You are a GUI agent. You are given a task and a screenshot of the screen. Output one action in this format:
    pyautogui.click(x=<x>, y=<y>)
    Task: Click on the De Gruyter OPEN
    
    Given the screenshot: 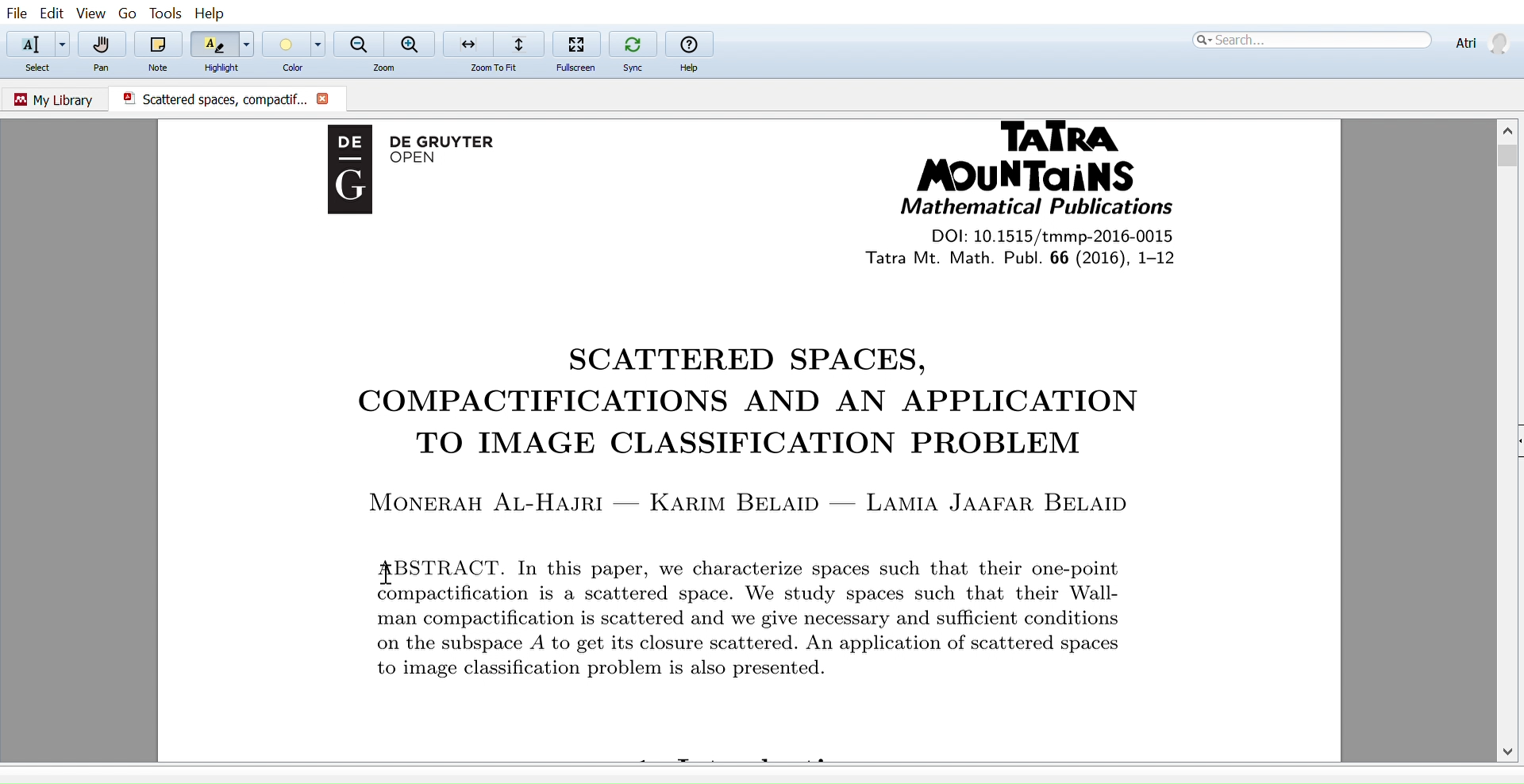 What is the action you would take?
    pyautogui.click(x=458, y=153)
    